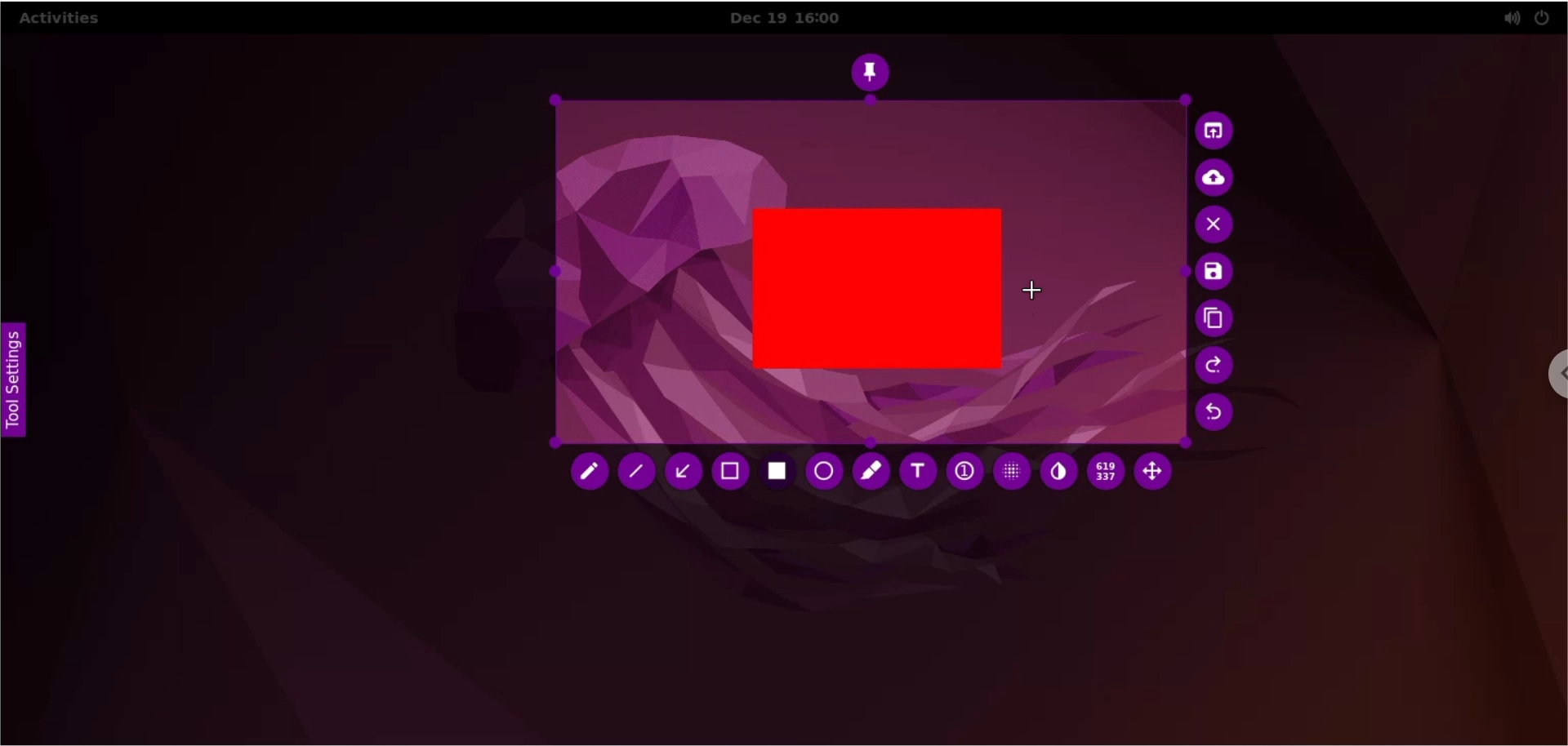 This screenshot has height=746, width=1568. I want to click on x and y coordinates values, so click(1106, 474).